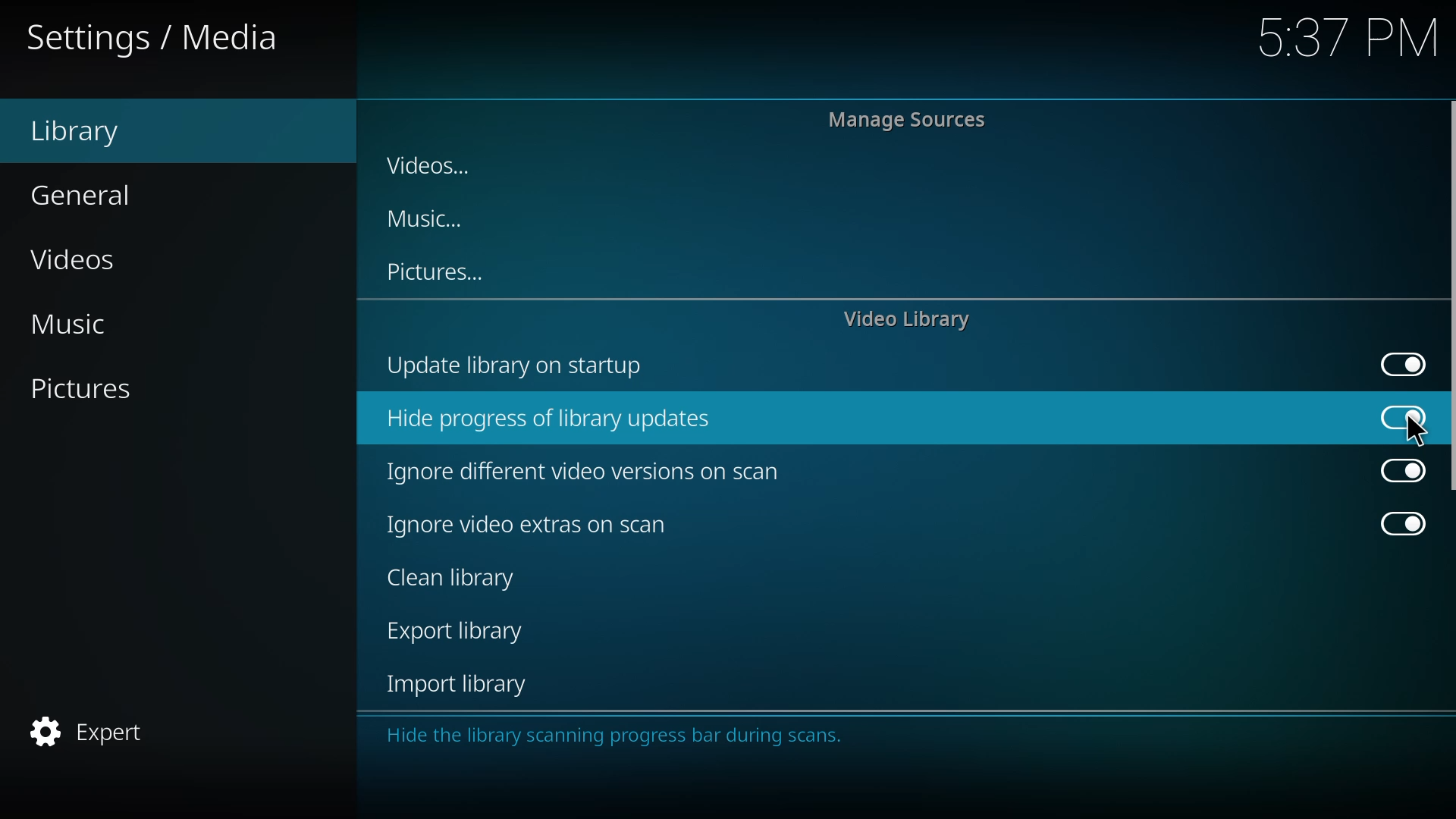 Image resolution: width=1456 pixels, height=819 pixels. Describe the element at coordinates (461, 685) in the screenshot. I see `import library` at that location.